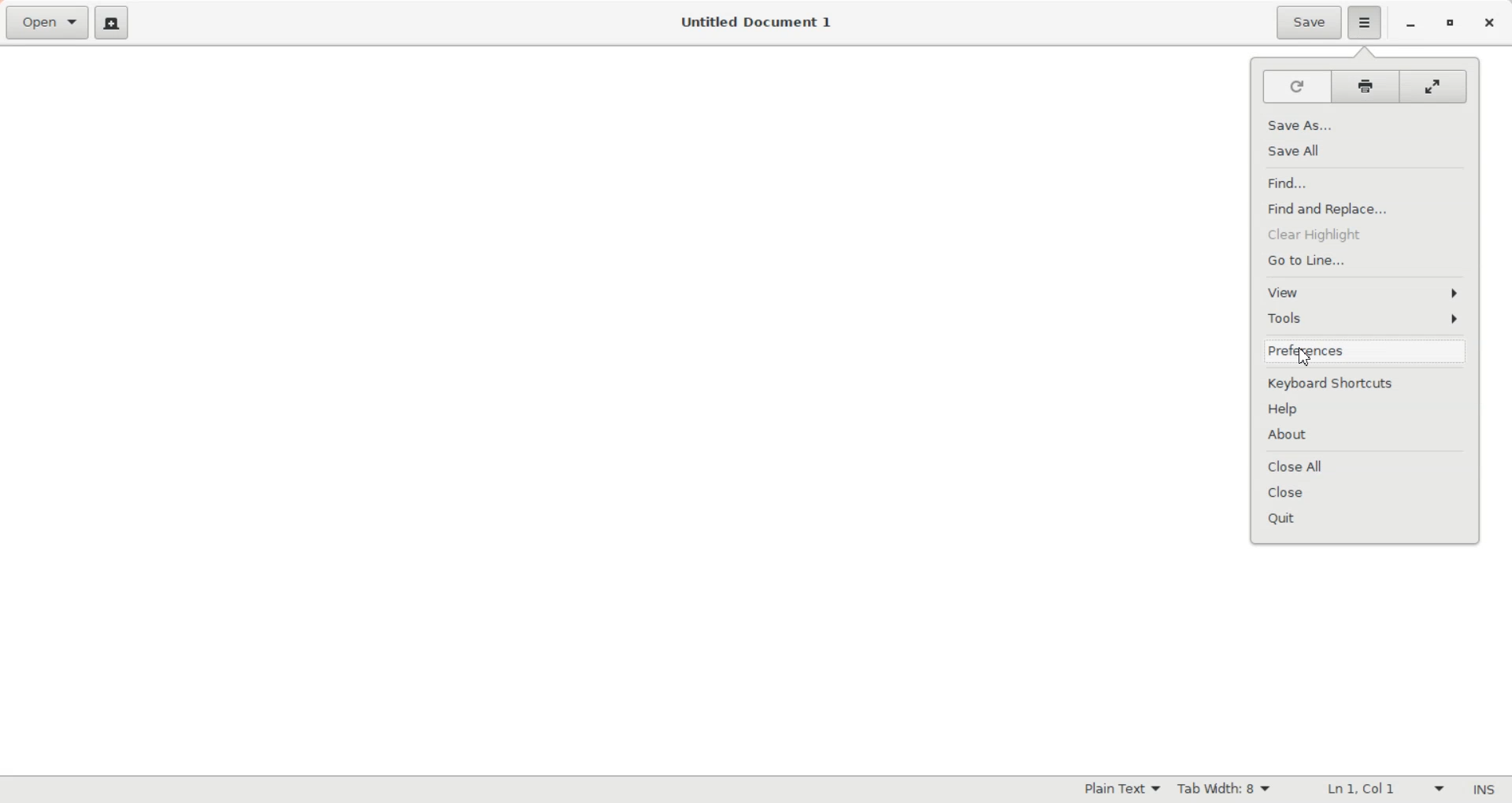 The image size is (1512, 803). I want to click on Tab width, so click(1225, 789).